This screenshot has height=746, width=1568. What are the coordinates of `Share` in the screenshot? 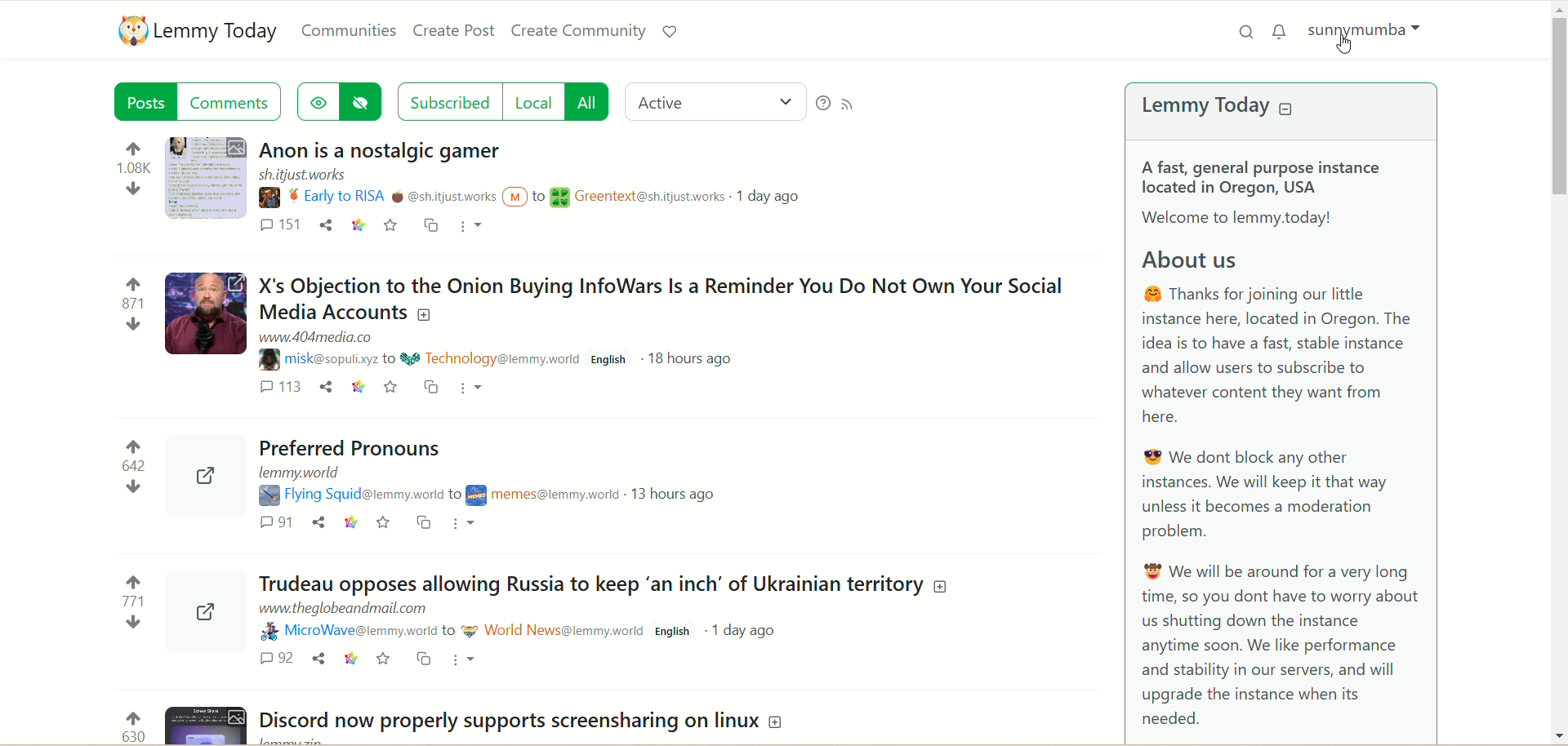 It's located at (320, 522).